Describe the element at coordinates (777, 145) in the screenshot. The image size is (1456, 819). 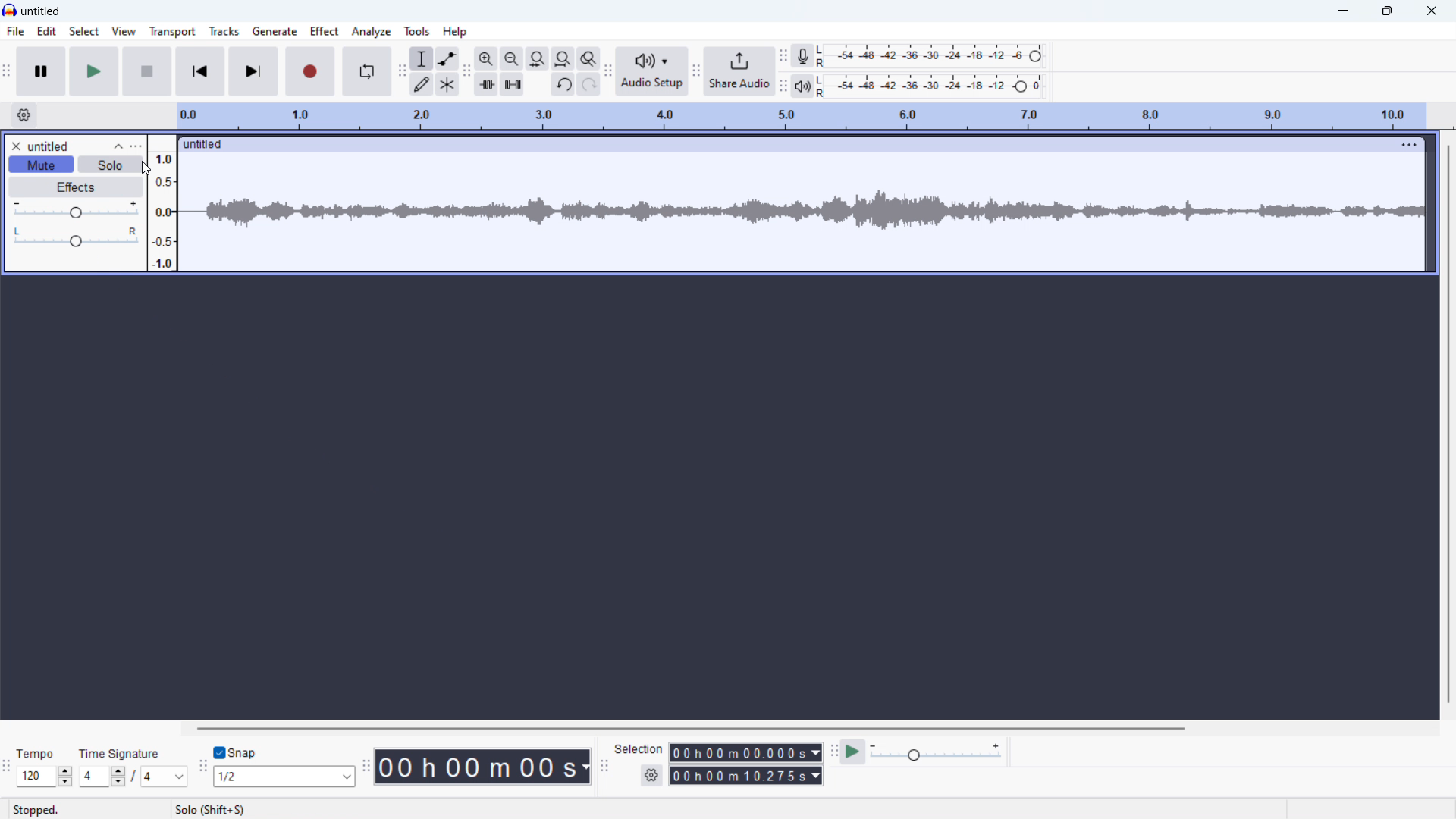
I see `click to move` at that location.